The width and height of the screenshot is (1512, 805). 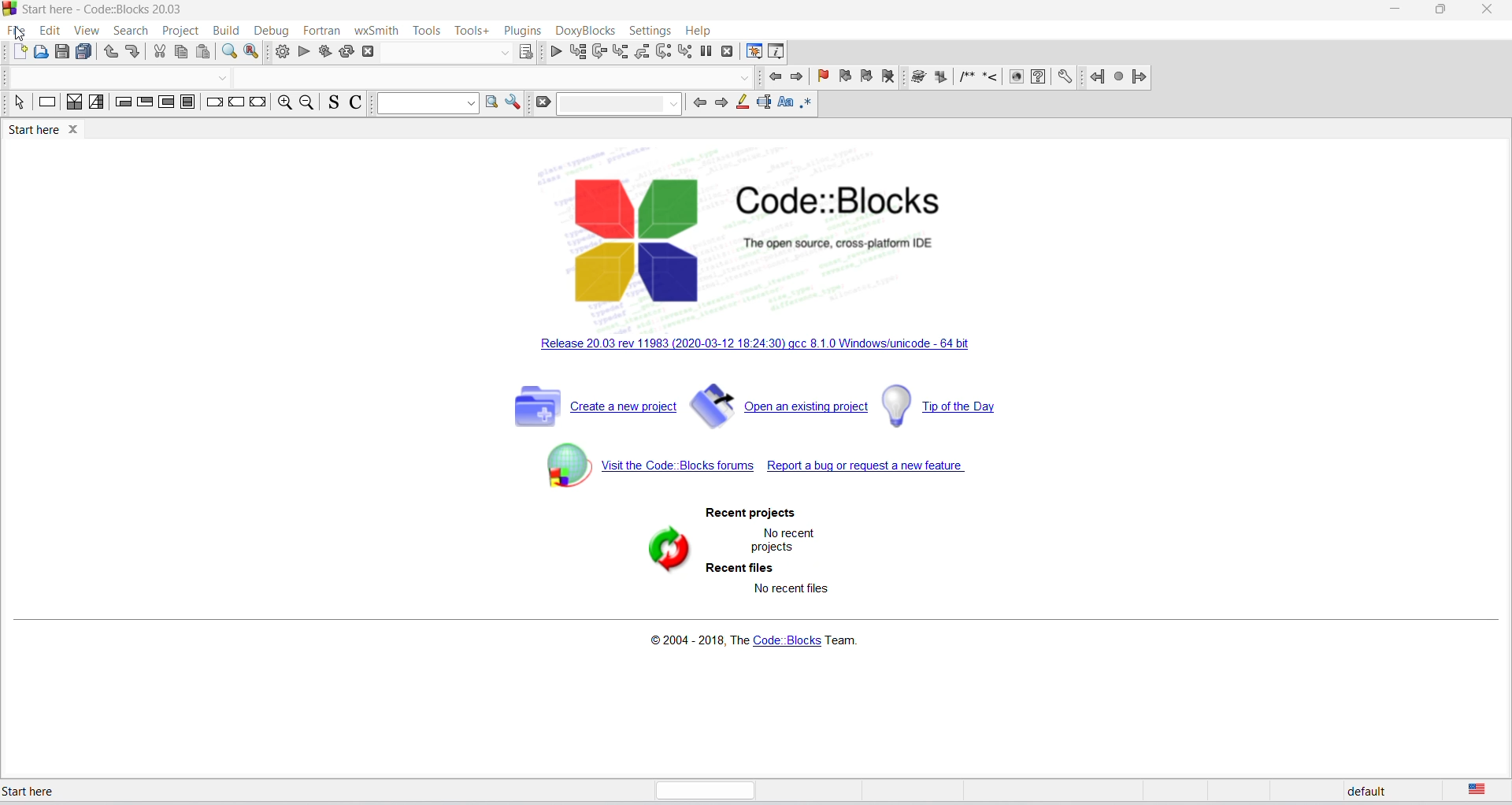 What do you see at coordinates (23, 104) in the screenshot?
I see `select` at bounding box center [23, 104].